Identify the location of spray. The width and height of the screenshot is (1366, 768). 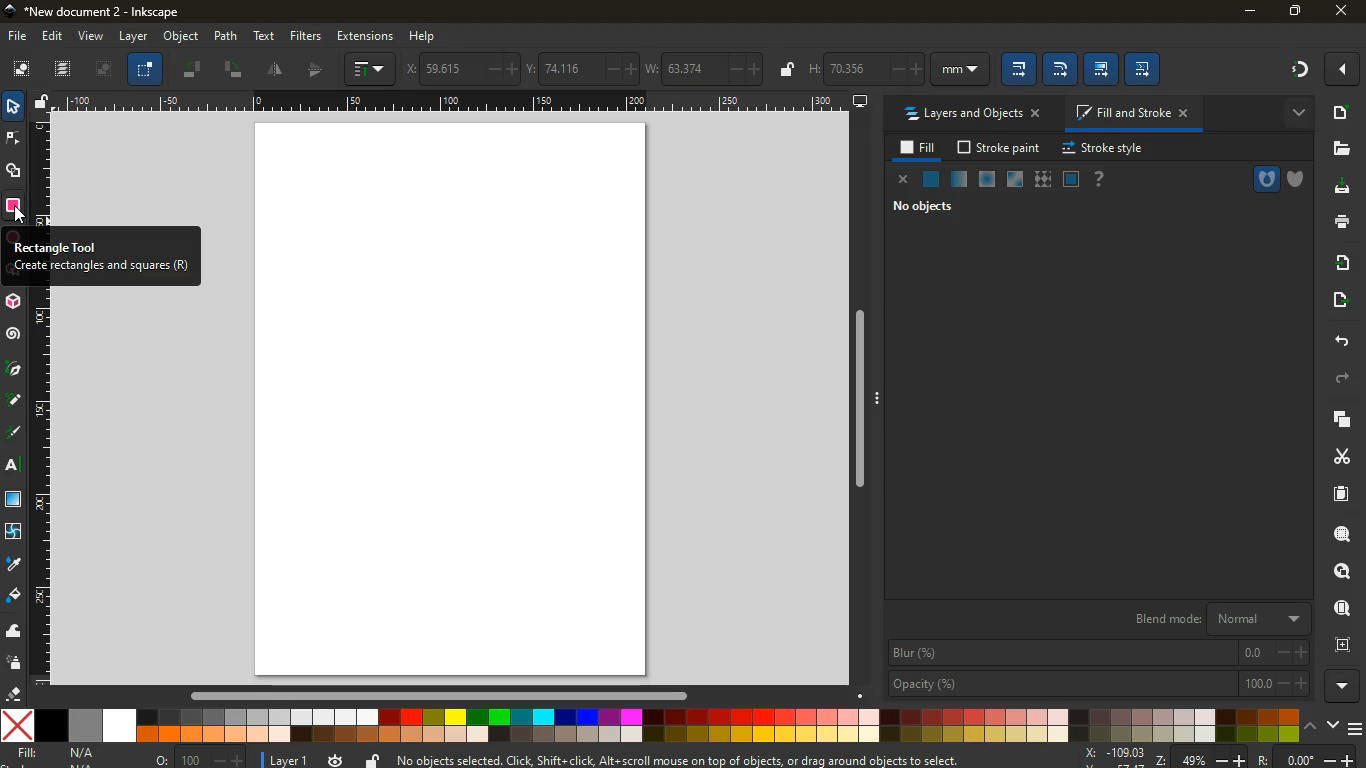
(15, 663).